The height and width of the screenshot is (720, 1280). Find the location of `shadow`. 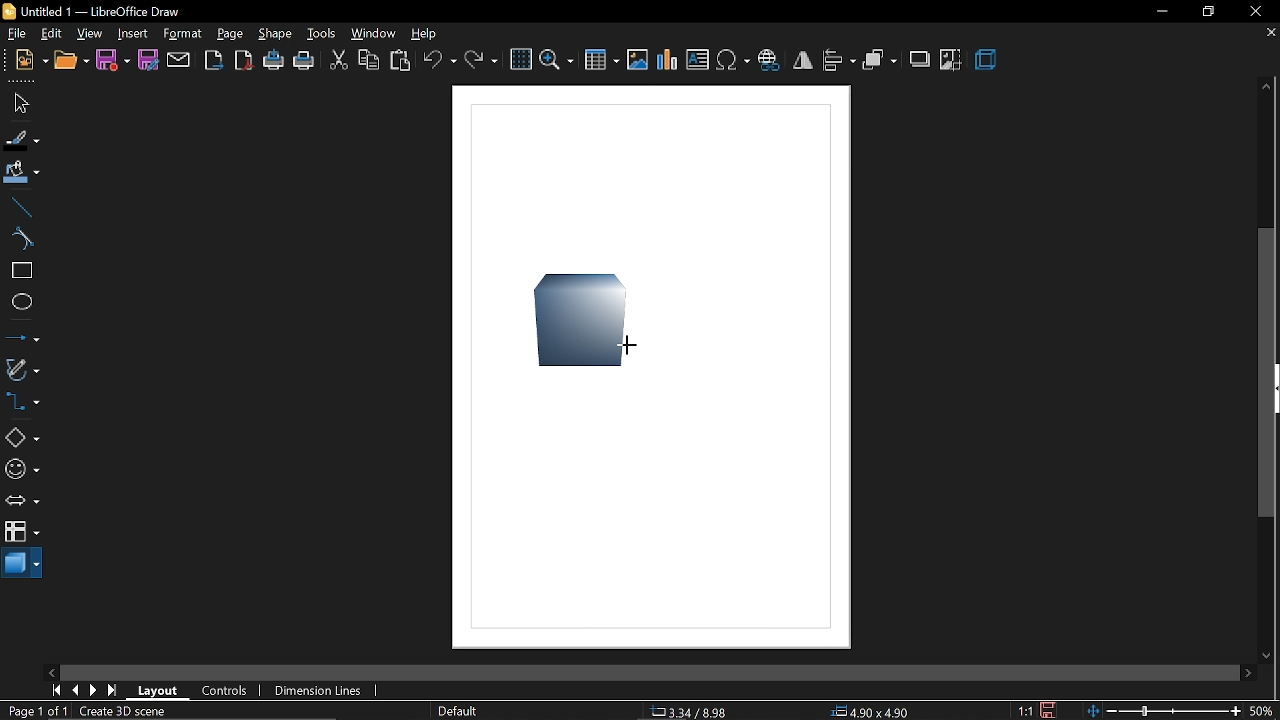

shadow is located at coordinates (922, 61).